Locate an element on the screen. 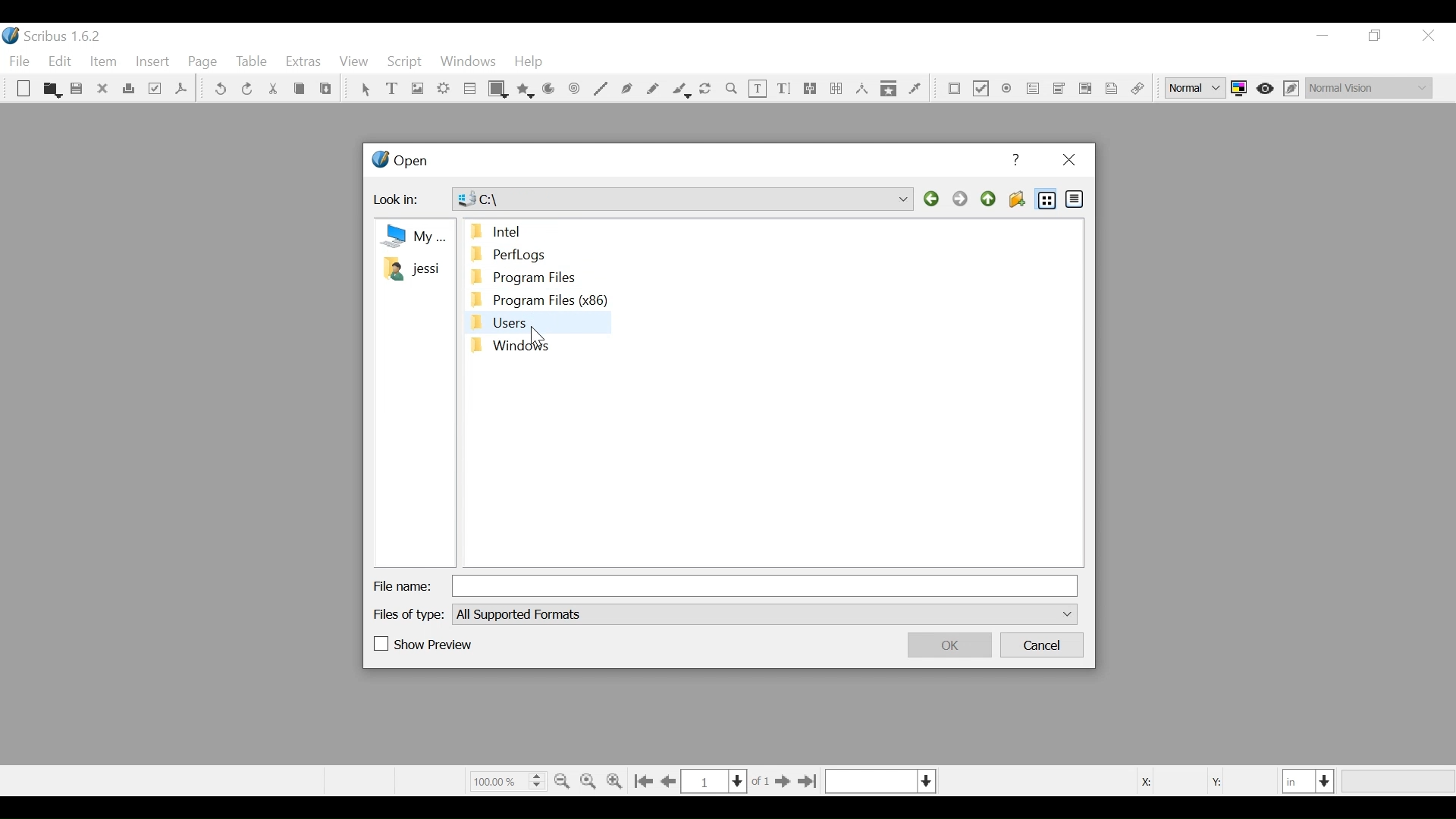  Parent Directory is located at coordinates (990, 199).